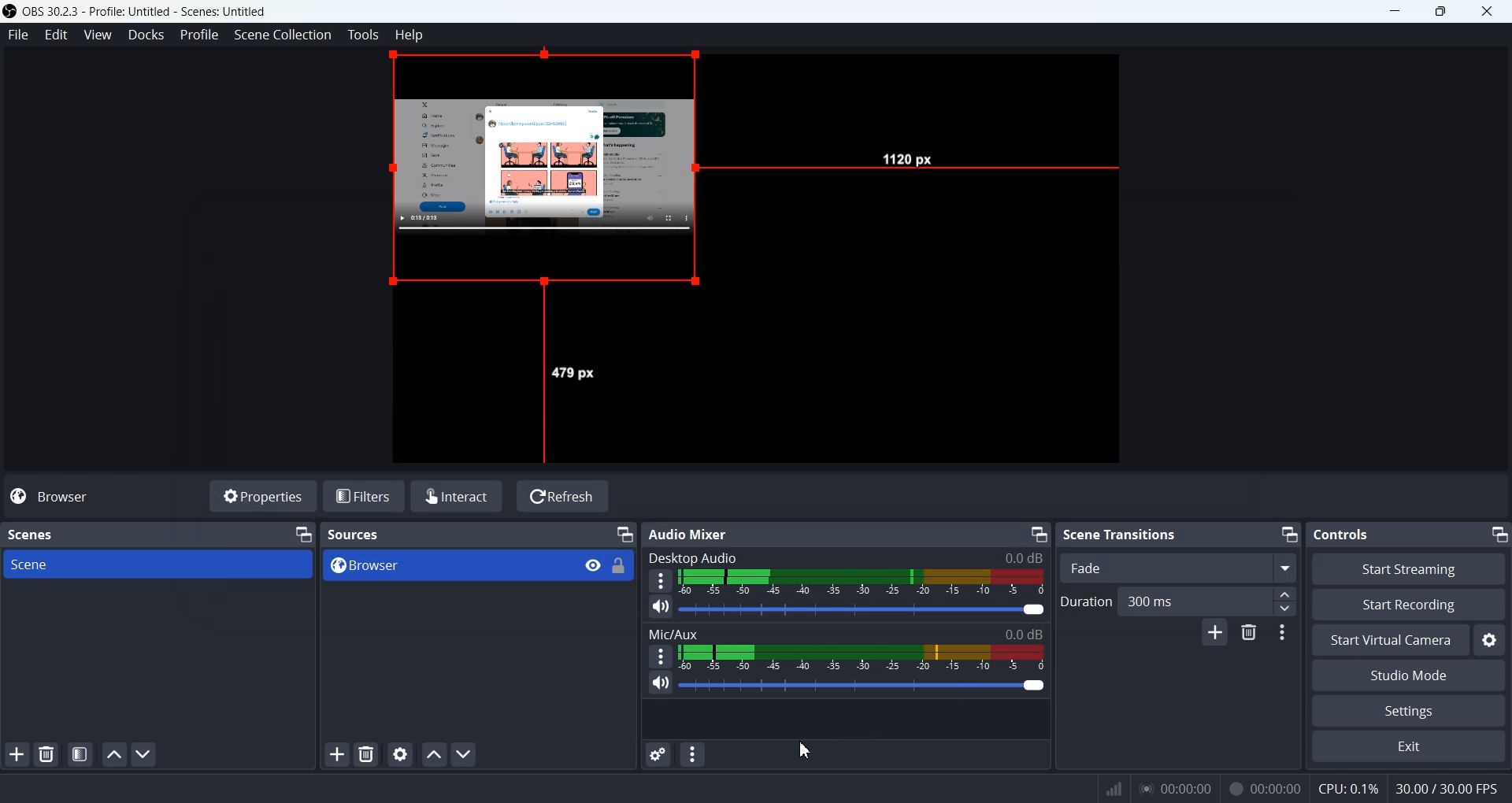 The width and height of the screenshot is (1512, 803). Describe the element at coordinates (1388, 640) in the screenshot. I see `Start Virtual Camera` at that location.